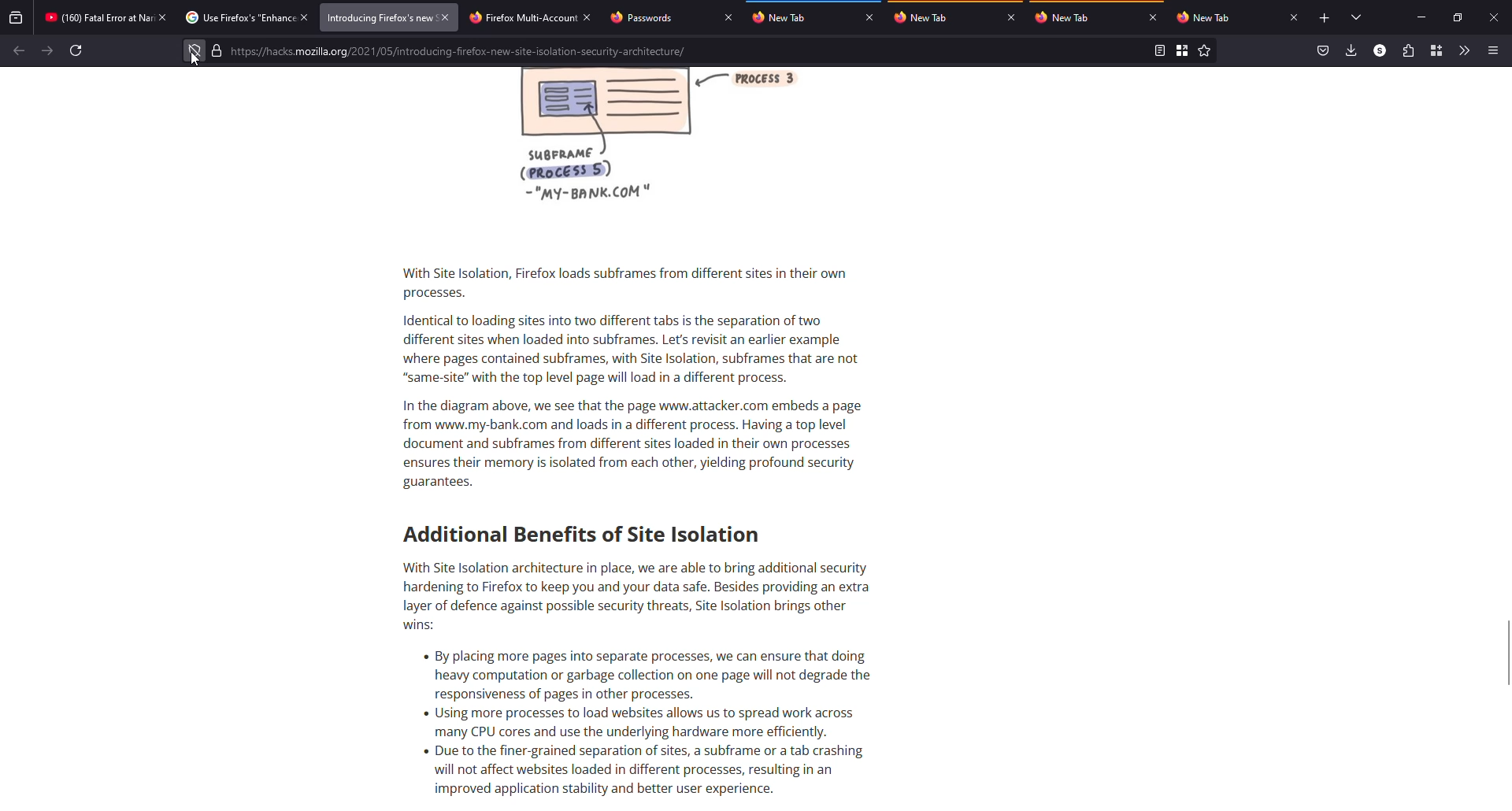 The image size is (1512, 811). Describe the element at coordinates (869, 17) in the screenshot. I see `close` at that location.